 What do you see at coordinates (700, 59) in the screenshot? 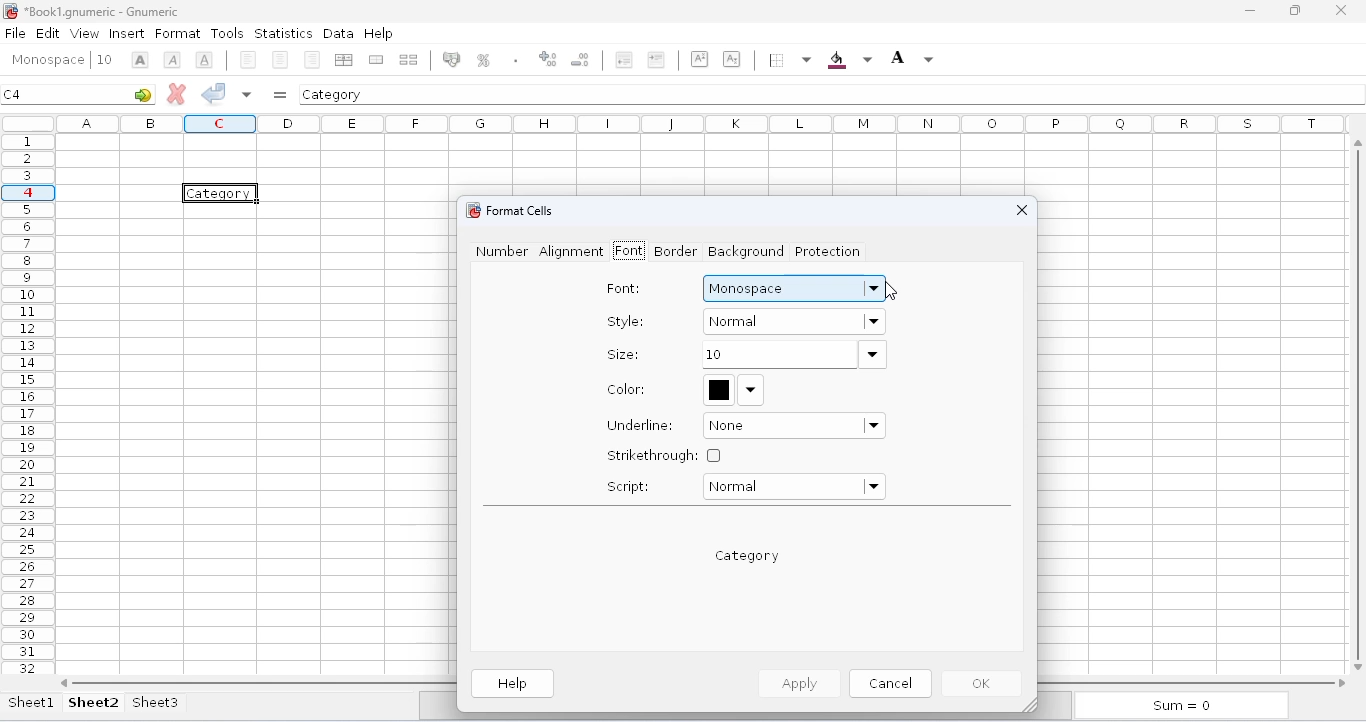
I see `superscript` at bounding box center [700, 59].